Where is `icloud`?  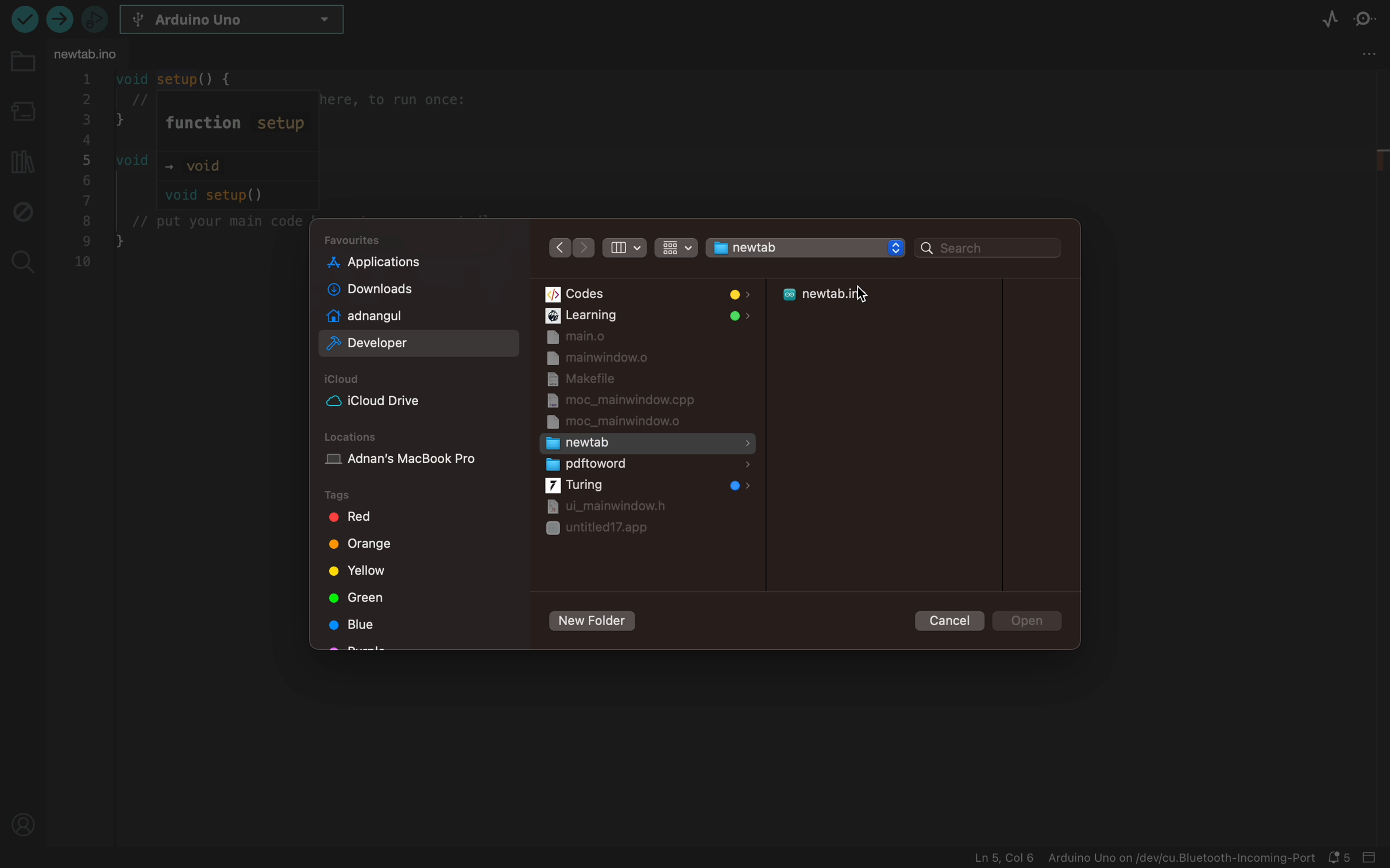
icloud is located at coordinates (347, 379).